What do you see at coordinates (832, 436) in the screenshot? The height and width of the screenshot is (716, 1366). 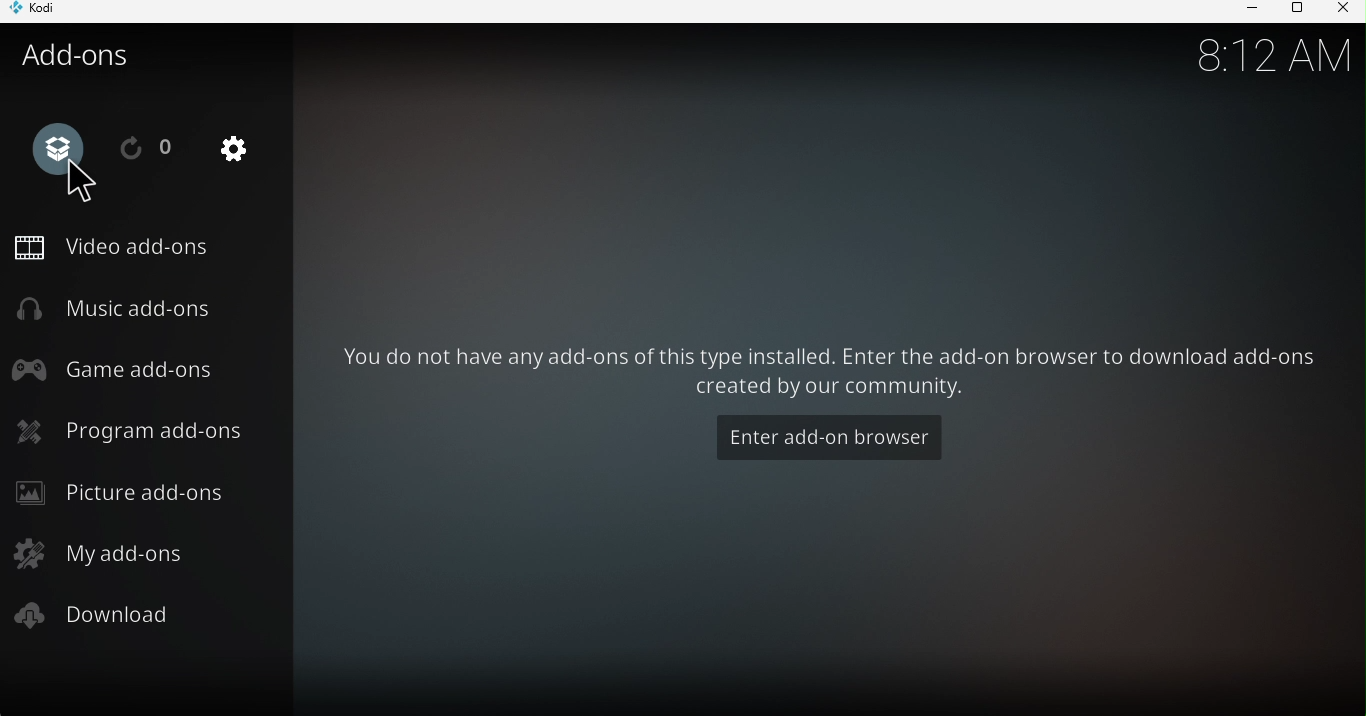 I see `Enter add-ons browser` at bounding box center [832, 436].